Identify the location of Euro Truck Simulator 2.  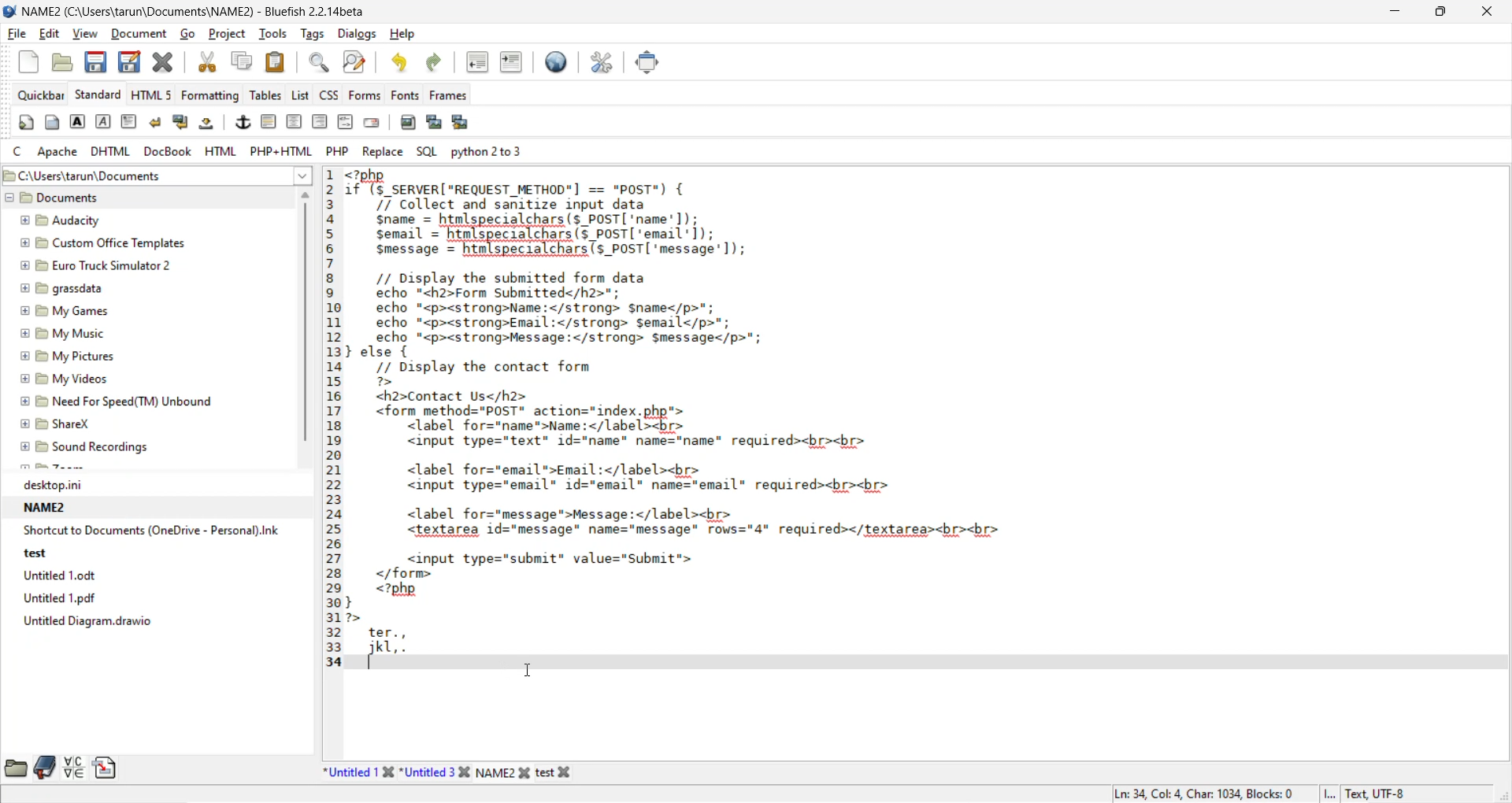
(96, 266).